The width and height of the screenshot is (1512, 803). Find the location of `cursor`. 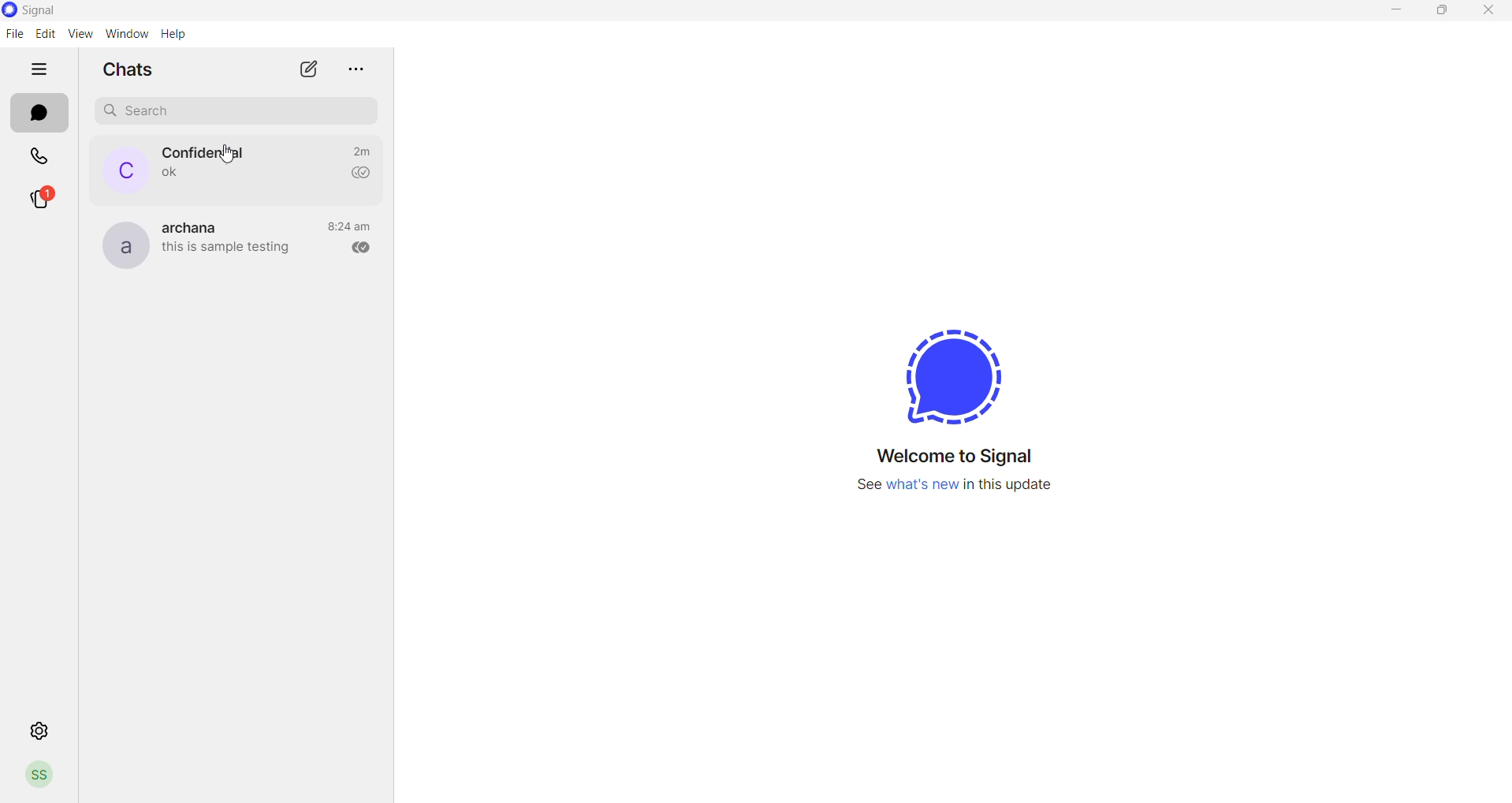

cursor is located at coordinates (230, 155).